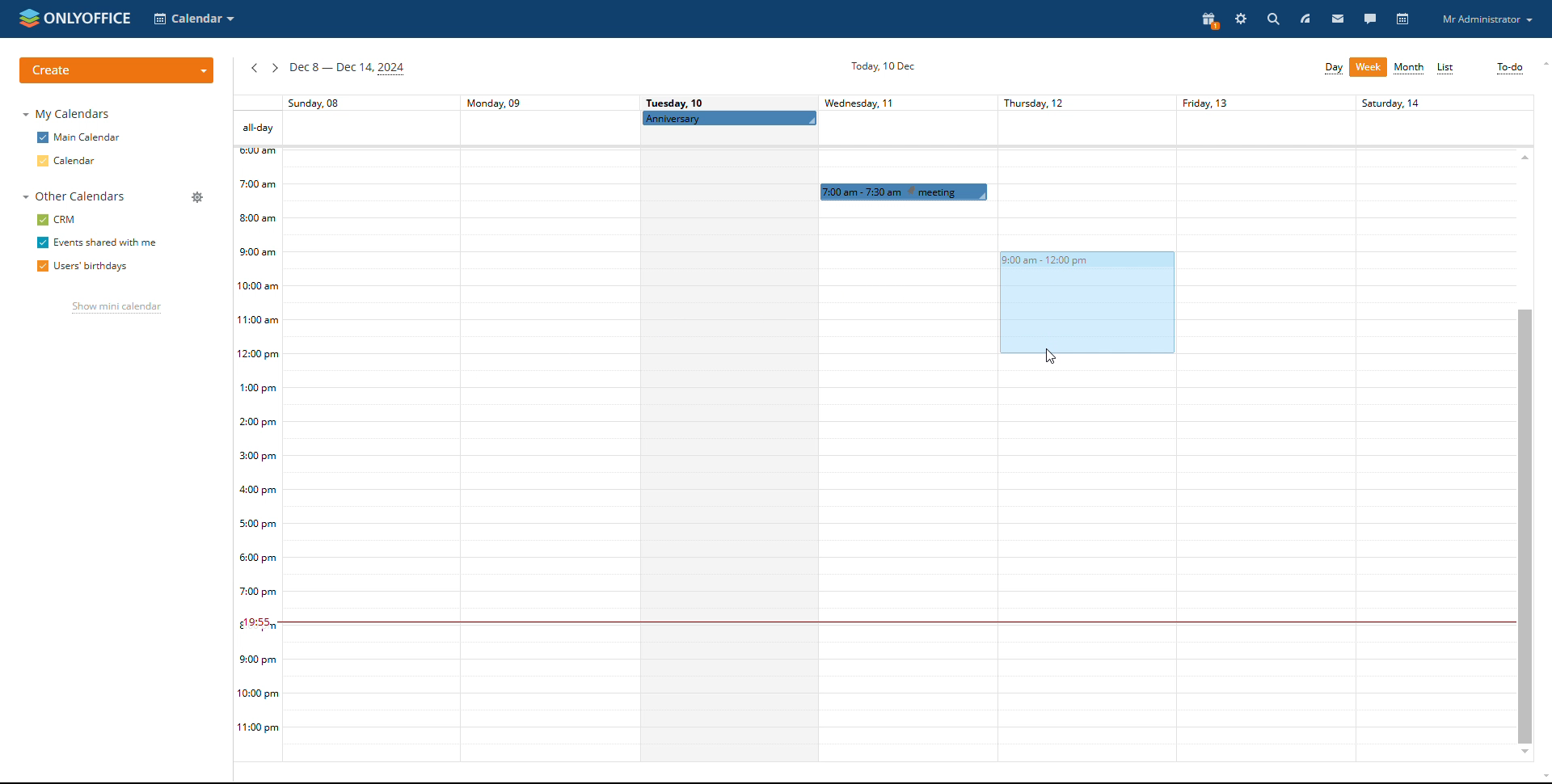  What do you see at coordinates (871, 103) in the screenshot?
I see `Wednesday, 11` at bounding box center [871, 103].